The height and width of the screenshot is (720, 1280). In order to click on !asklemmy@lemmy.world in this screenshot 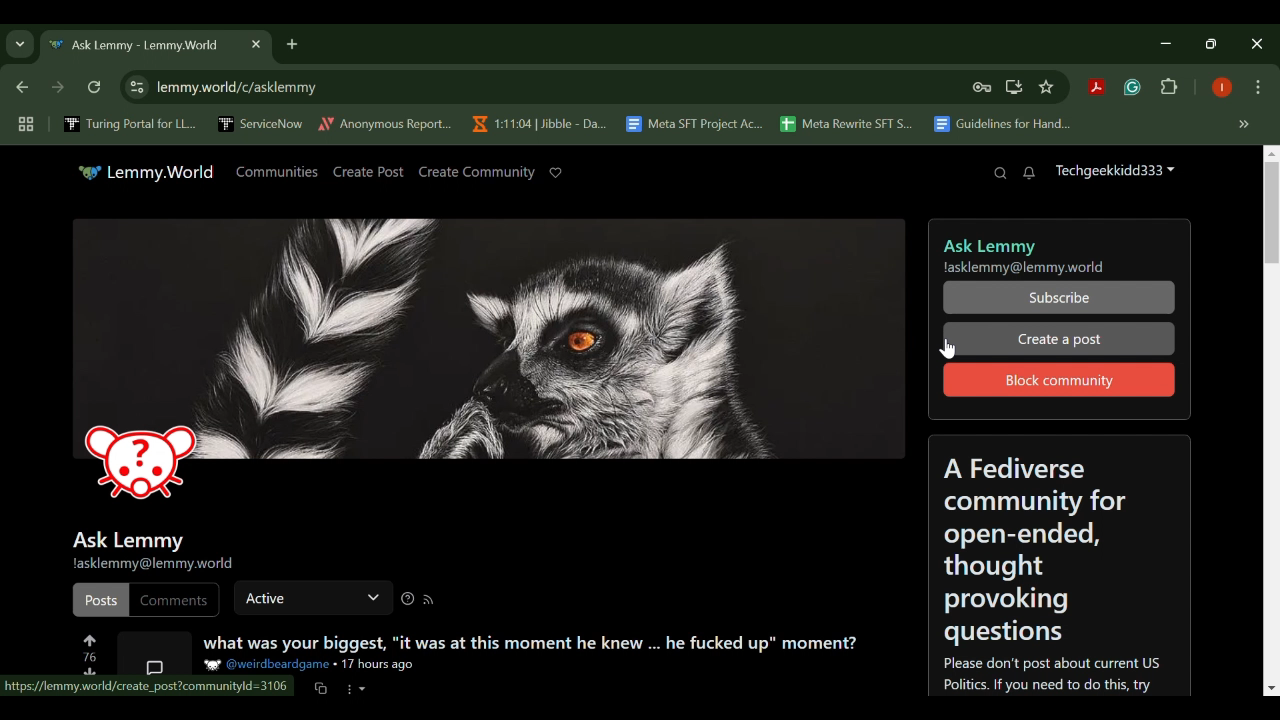, I will do `click(152, 565)`.